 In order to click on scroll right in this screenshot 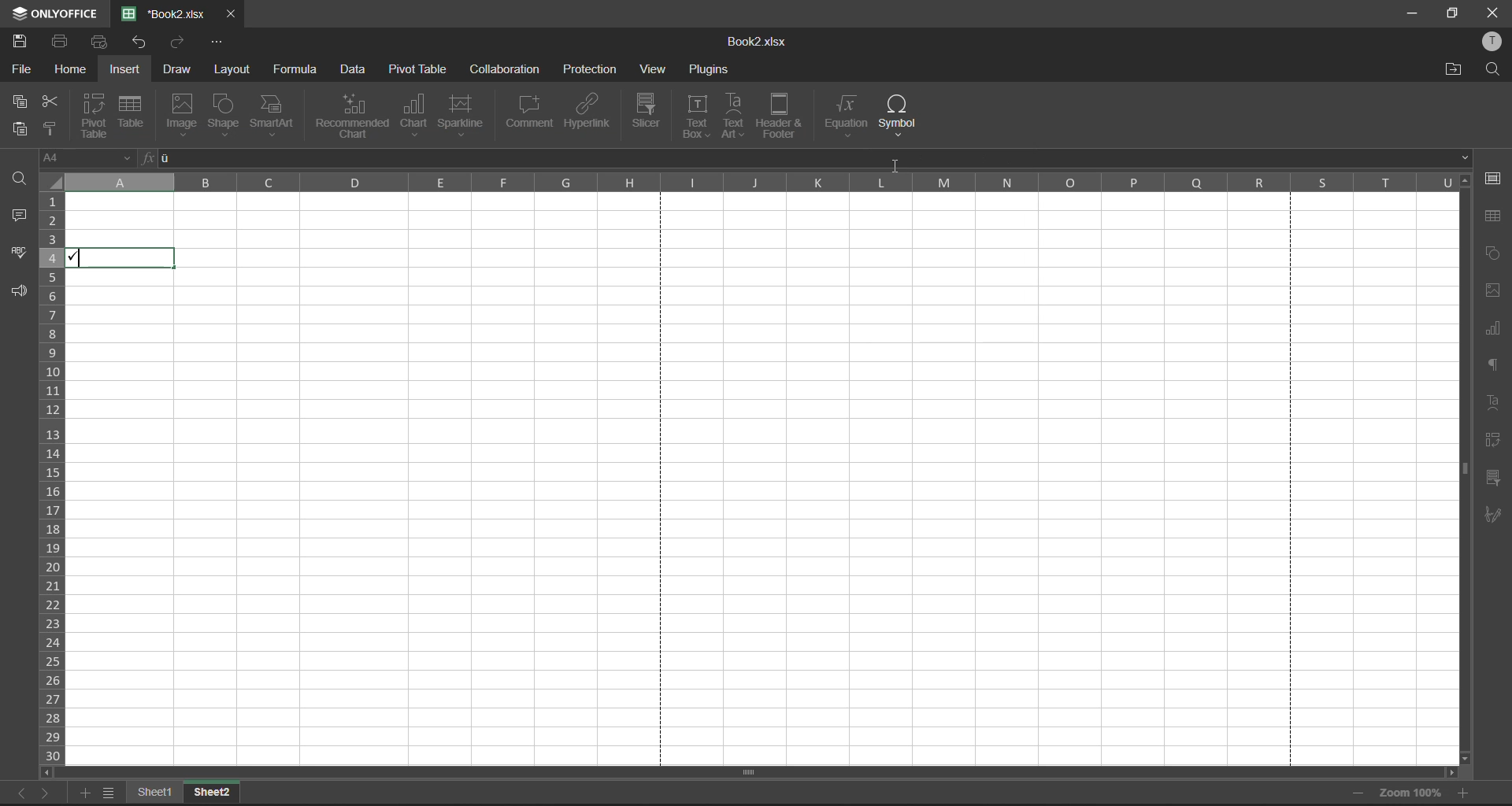, I will do `click(1449, 773)`.